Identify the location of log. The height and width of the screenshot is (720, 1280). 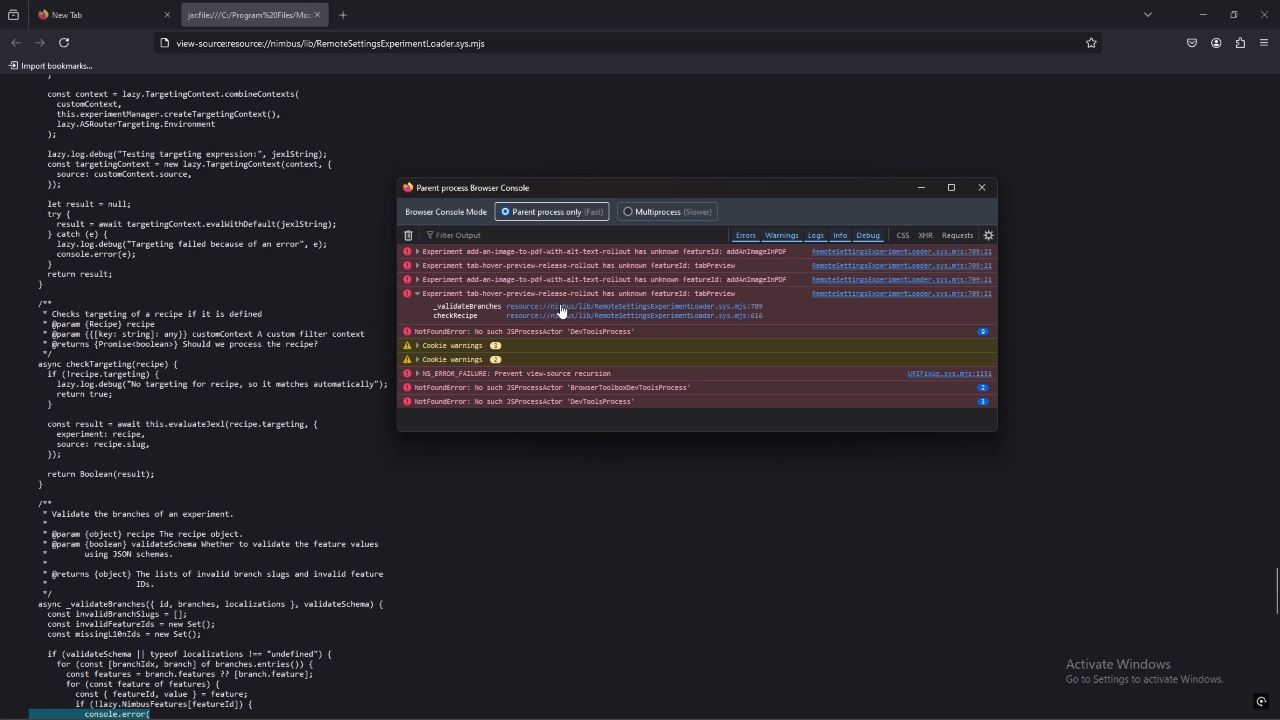
(572, 332).